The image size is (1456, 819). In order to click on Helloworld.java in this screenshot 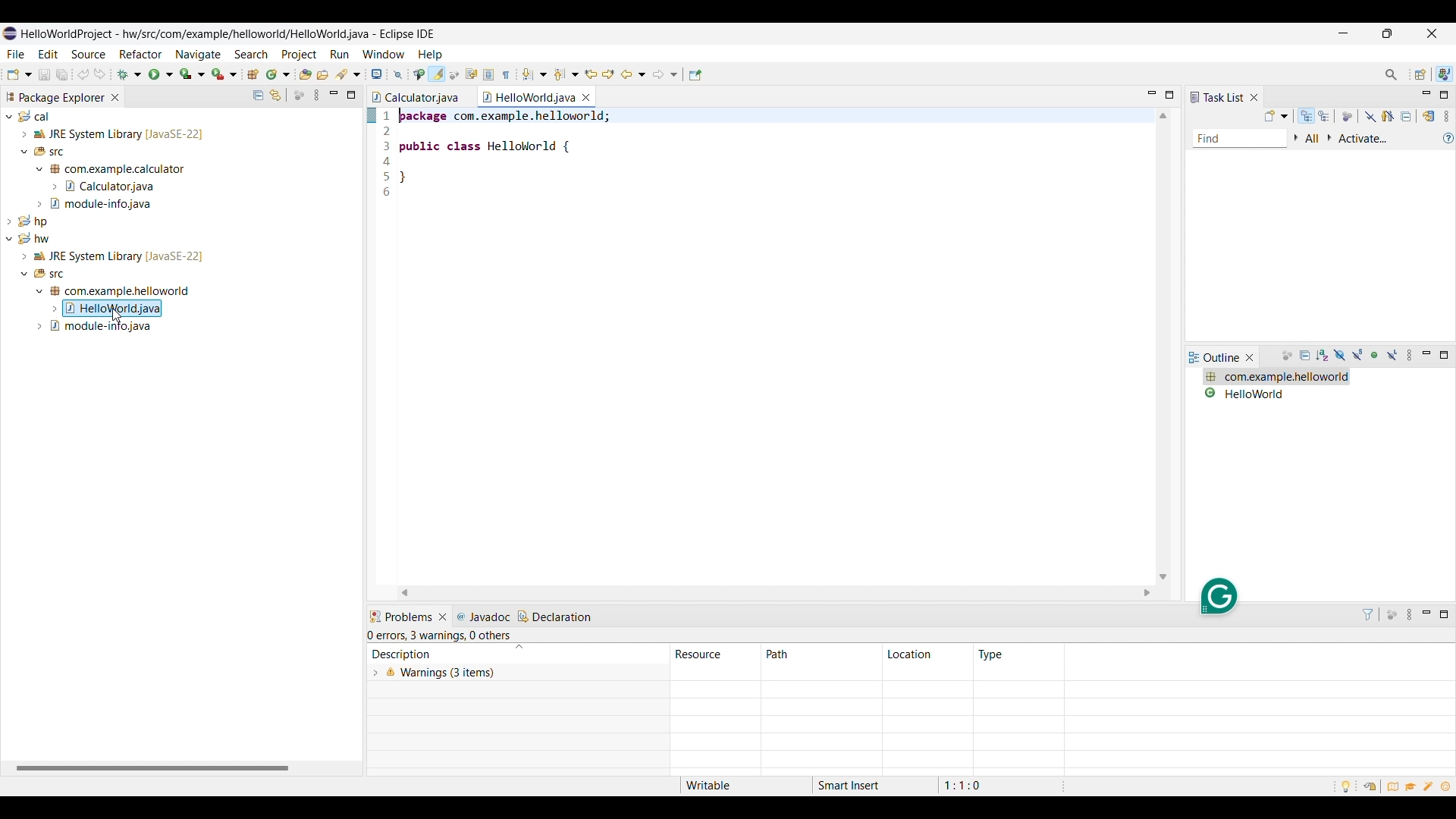, I will do `click(529, 97)`.